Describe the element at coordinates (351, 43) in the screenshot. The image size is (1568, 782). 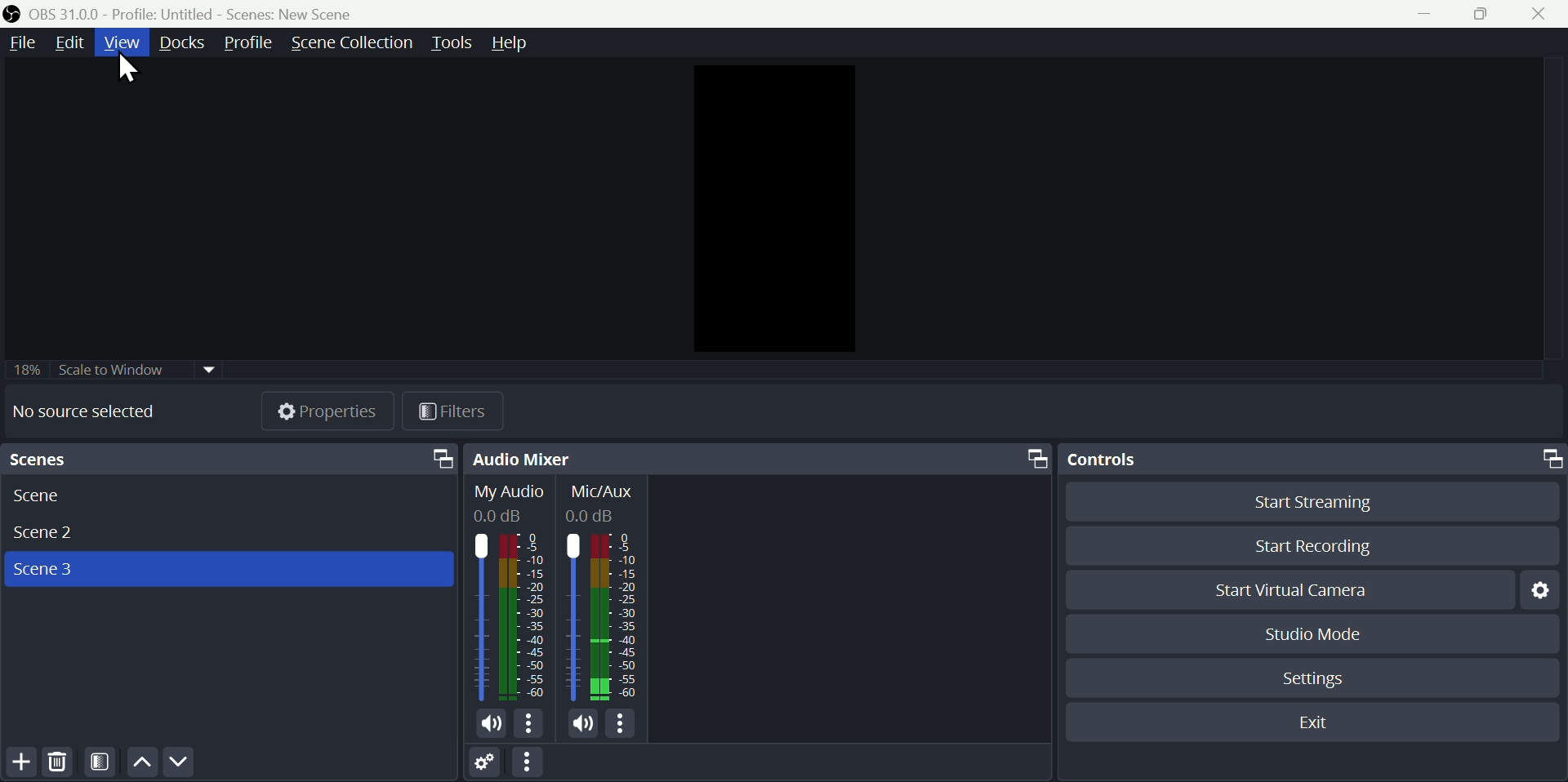
I see `Scene Transition` at that location.